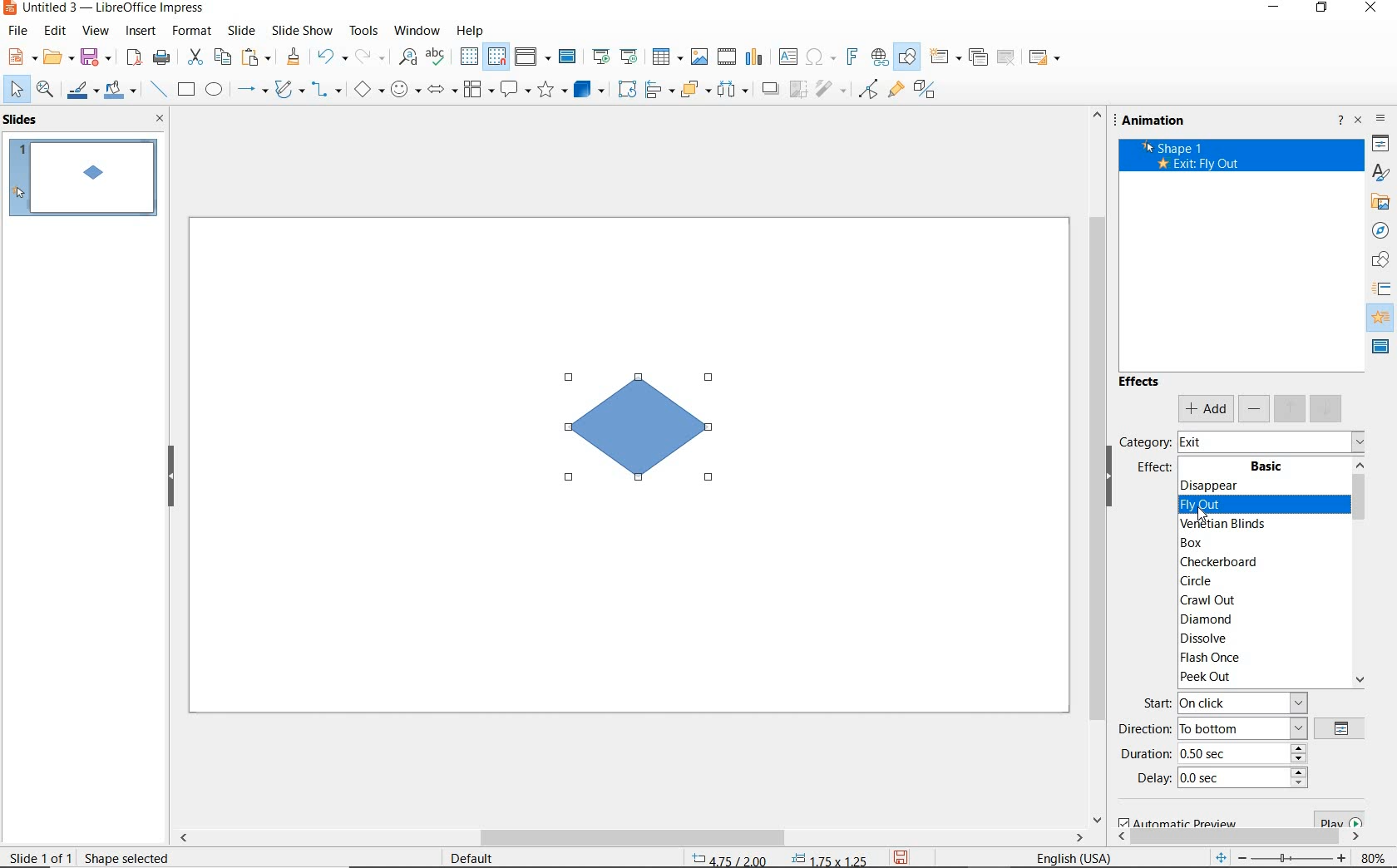 The width and height of the screenshot is (1397, 868). What do you see at coordinates (1258, 563) in the screenshot?
I see `checkerboard` at bounding box center [1258, 563].